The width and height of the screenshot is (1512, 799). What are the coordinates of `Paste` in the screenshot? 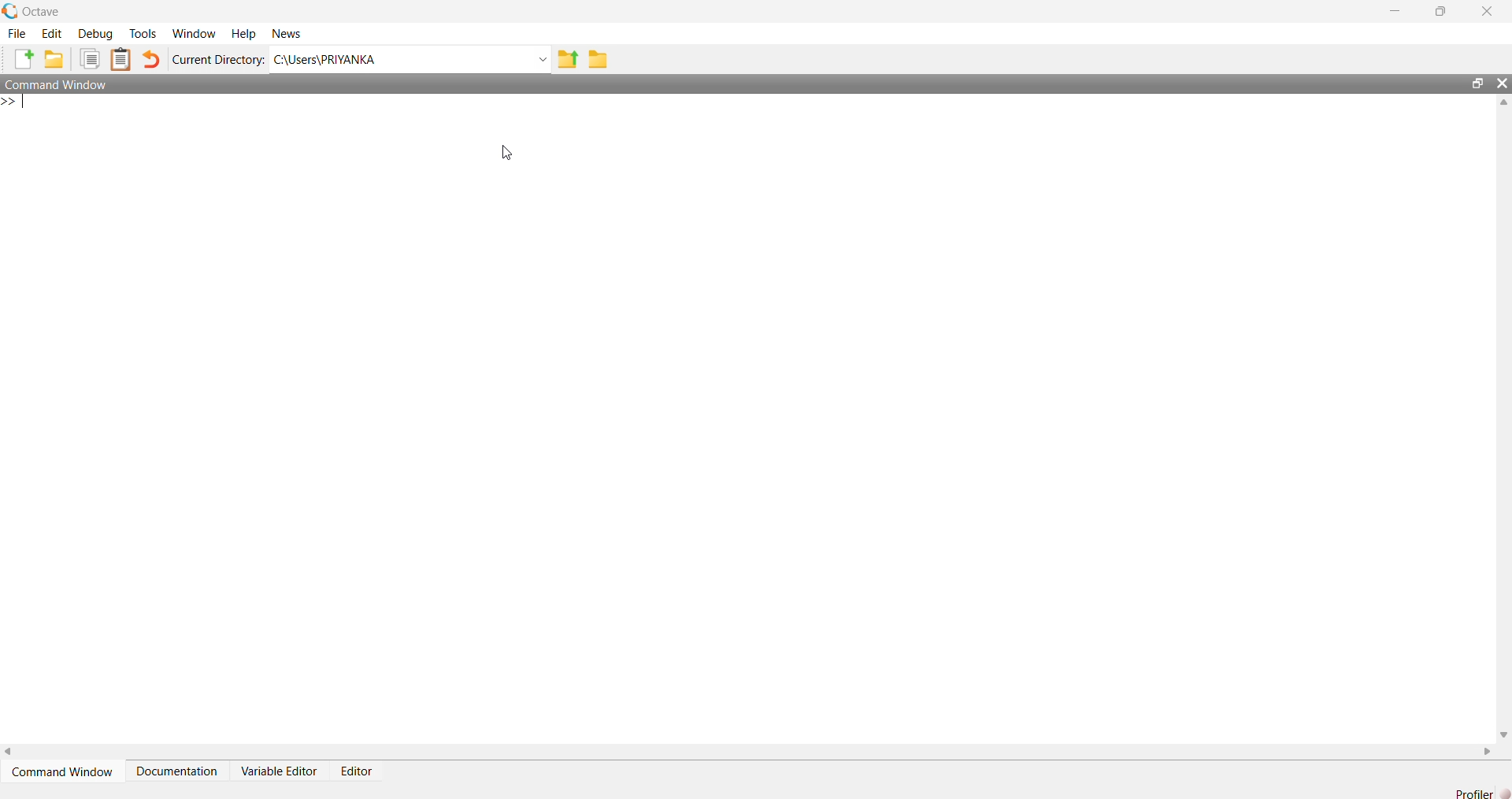 It's located at (122, 58).